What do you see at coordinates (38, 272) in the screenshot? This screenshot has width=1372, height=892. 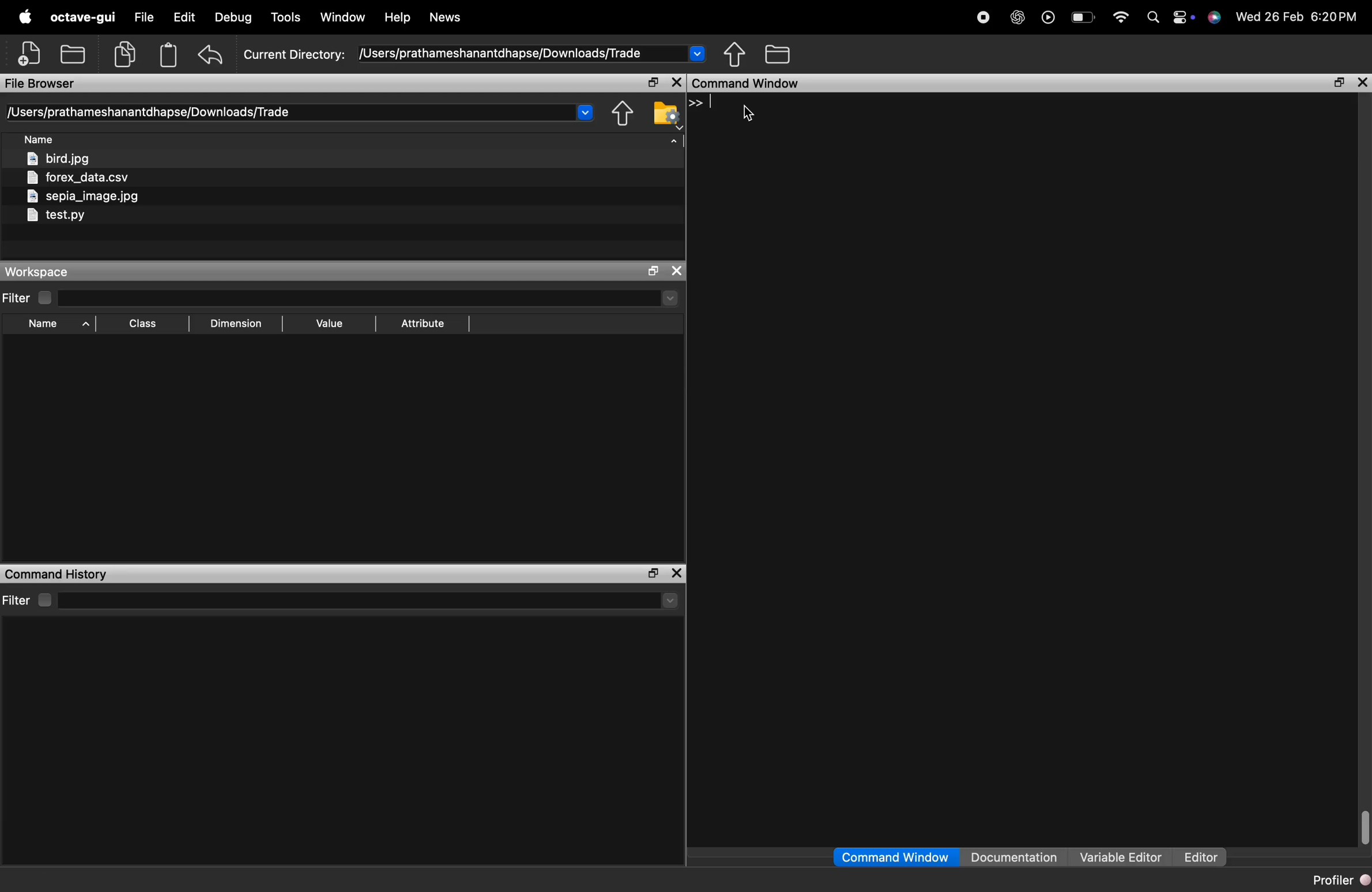 I see `Workspace` at bounding box center [38, 272].